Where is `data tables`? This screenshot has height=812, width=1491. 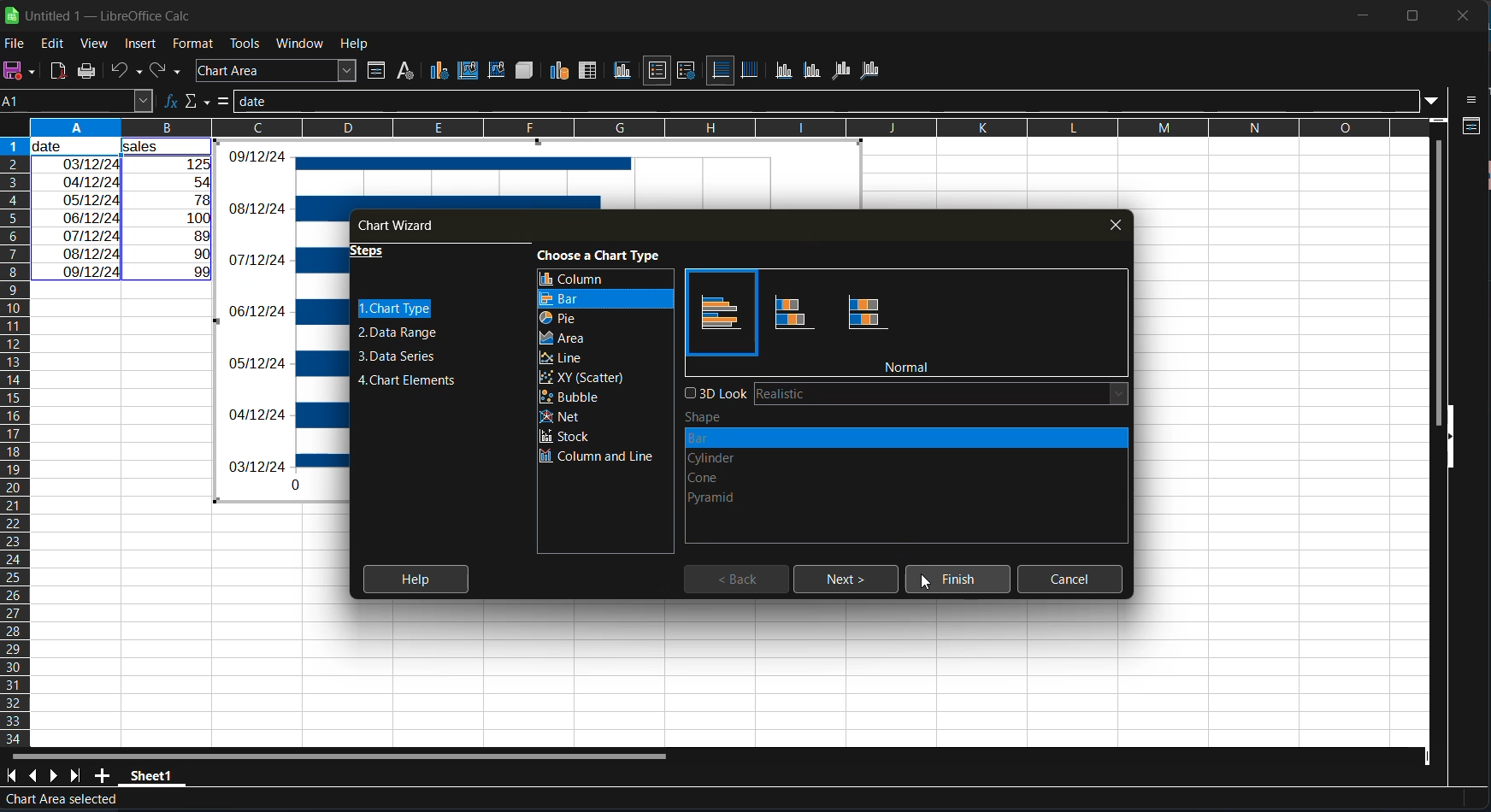 data tables is located at coordinates (589, 72).